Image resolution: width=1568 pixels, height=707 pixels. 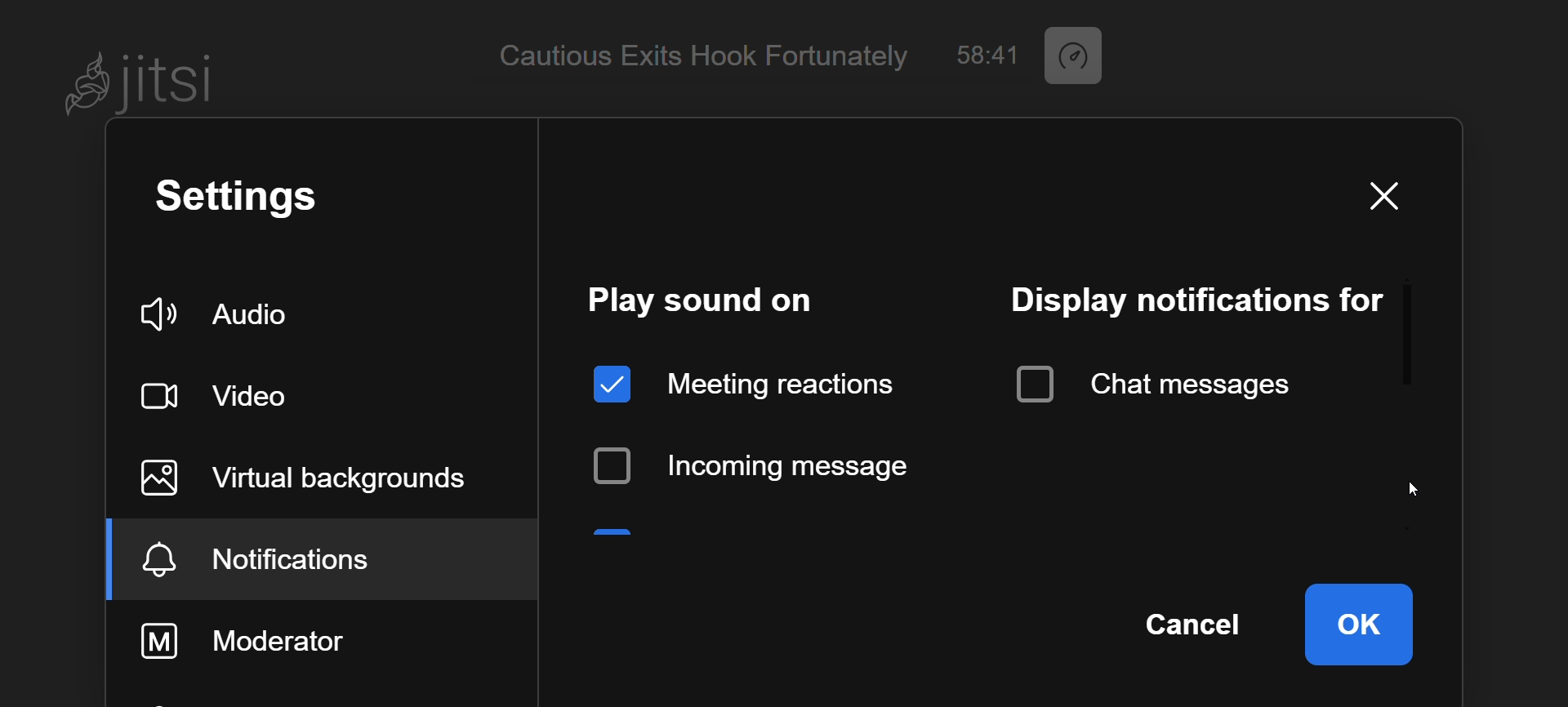 What do you see at coordinates (987, 57) in the screenshot?
I see `58:41` at bounding box center [987, 57].